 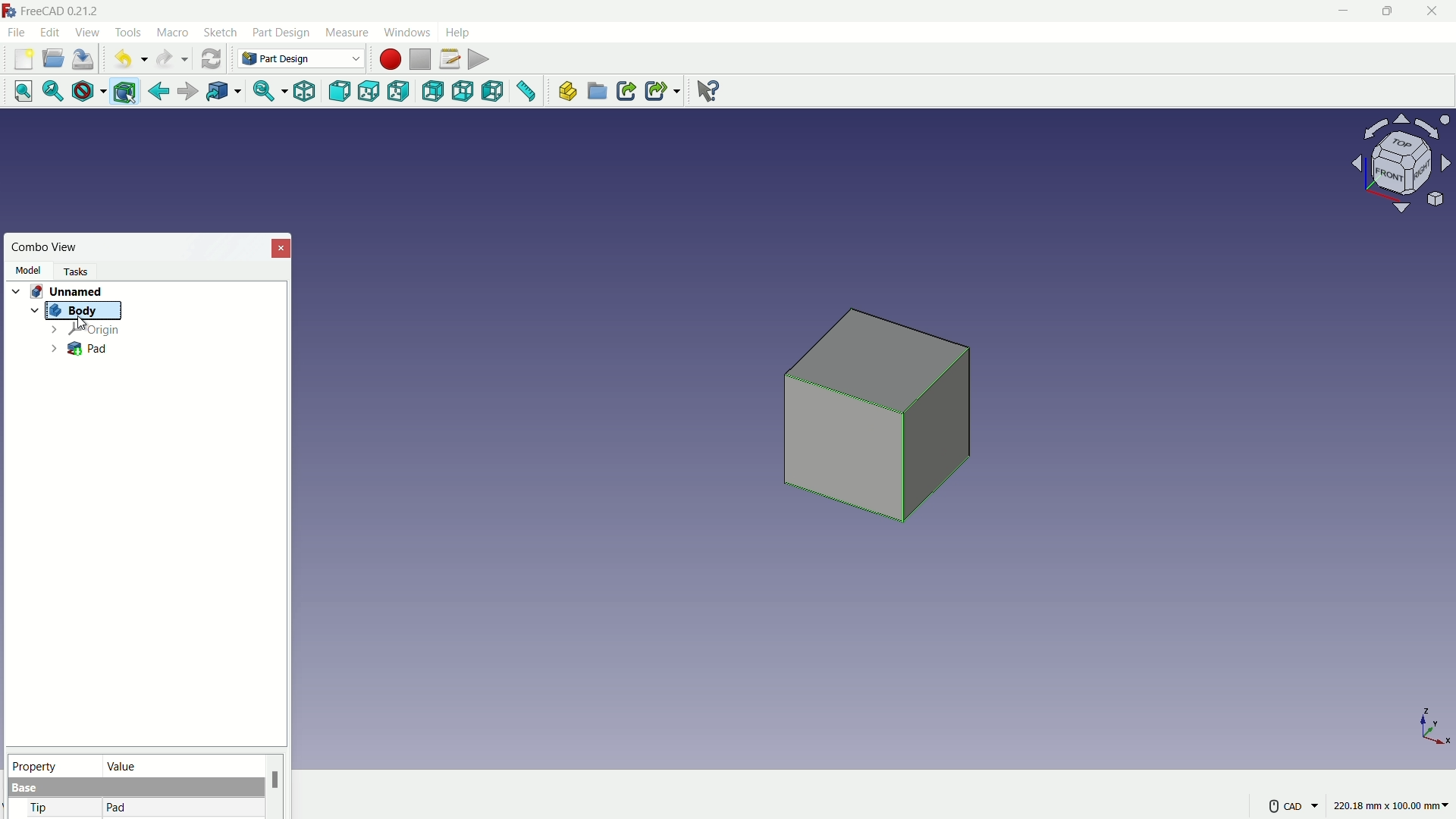 I want to click on edit, so click(x=52, y=32).